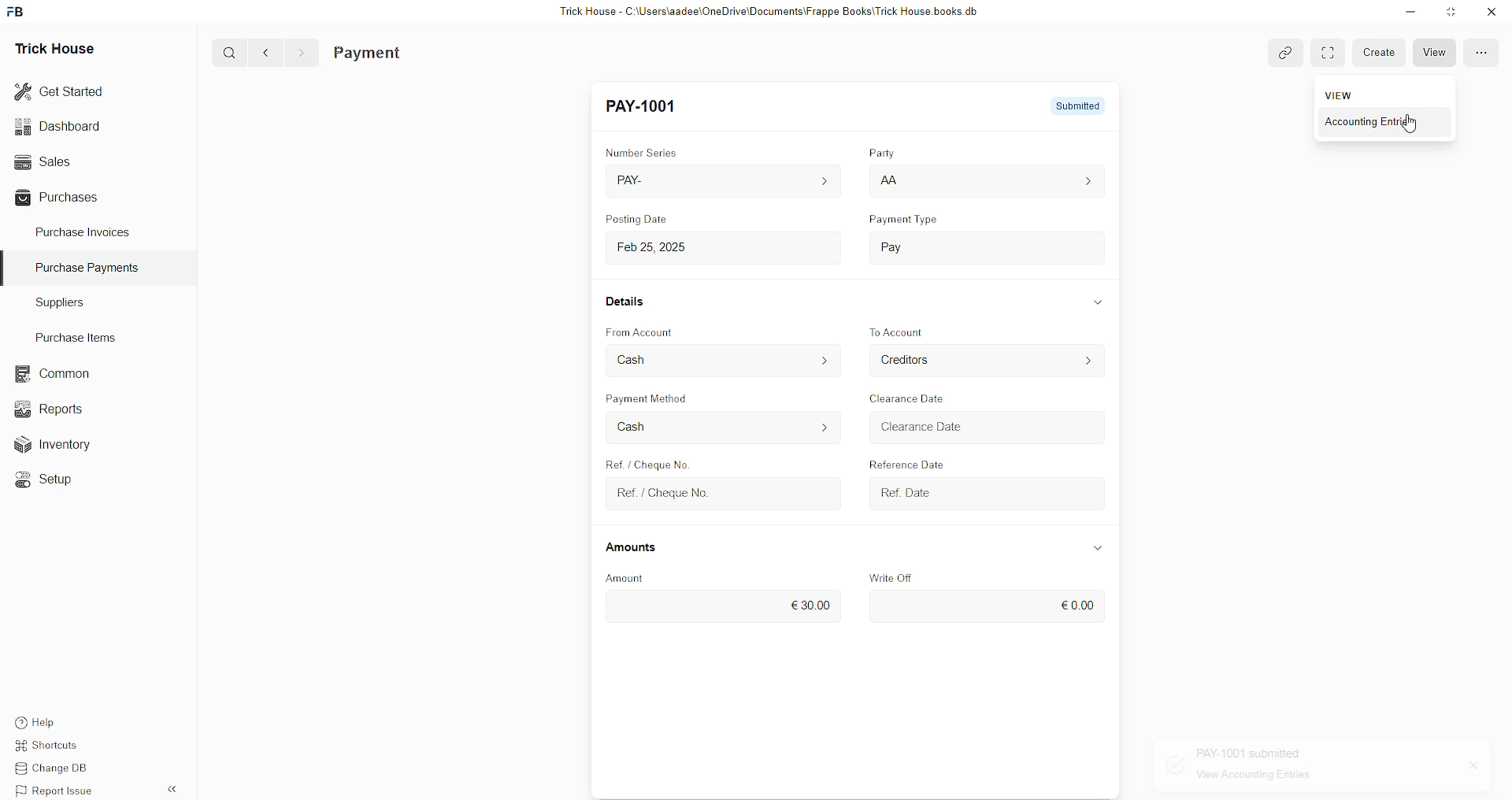  What do you see at coordinates (49, 480) in the screenshot?
I see `«© Setup` at bounding box center [49, 480].